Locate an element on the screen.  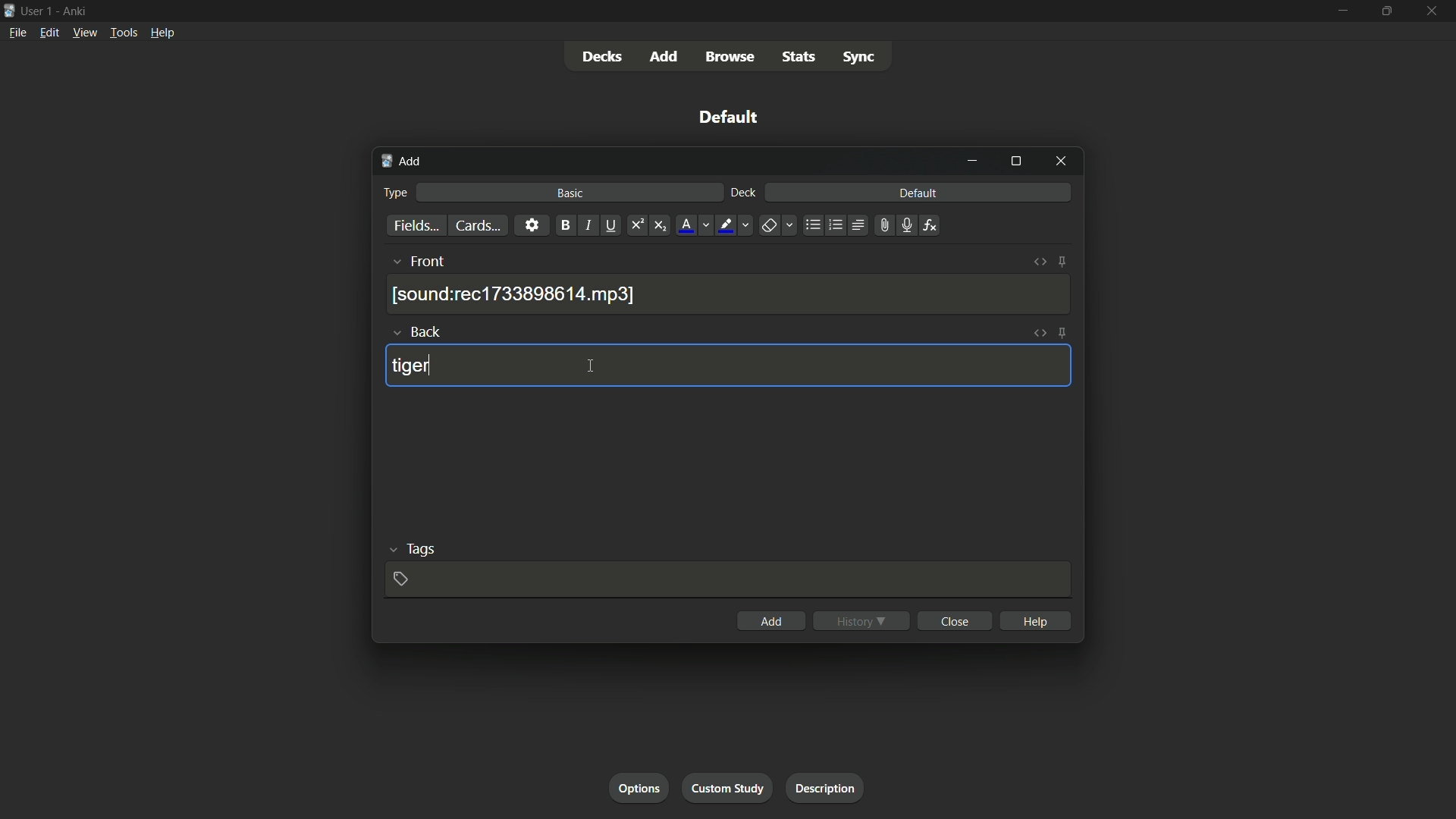
type is located at coordinates (397, 192).